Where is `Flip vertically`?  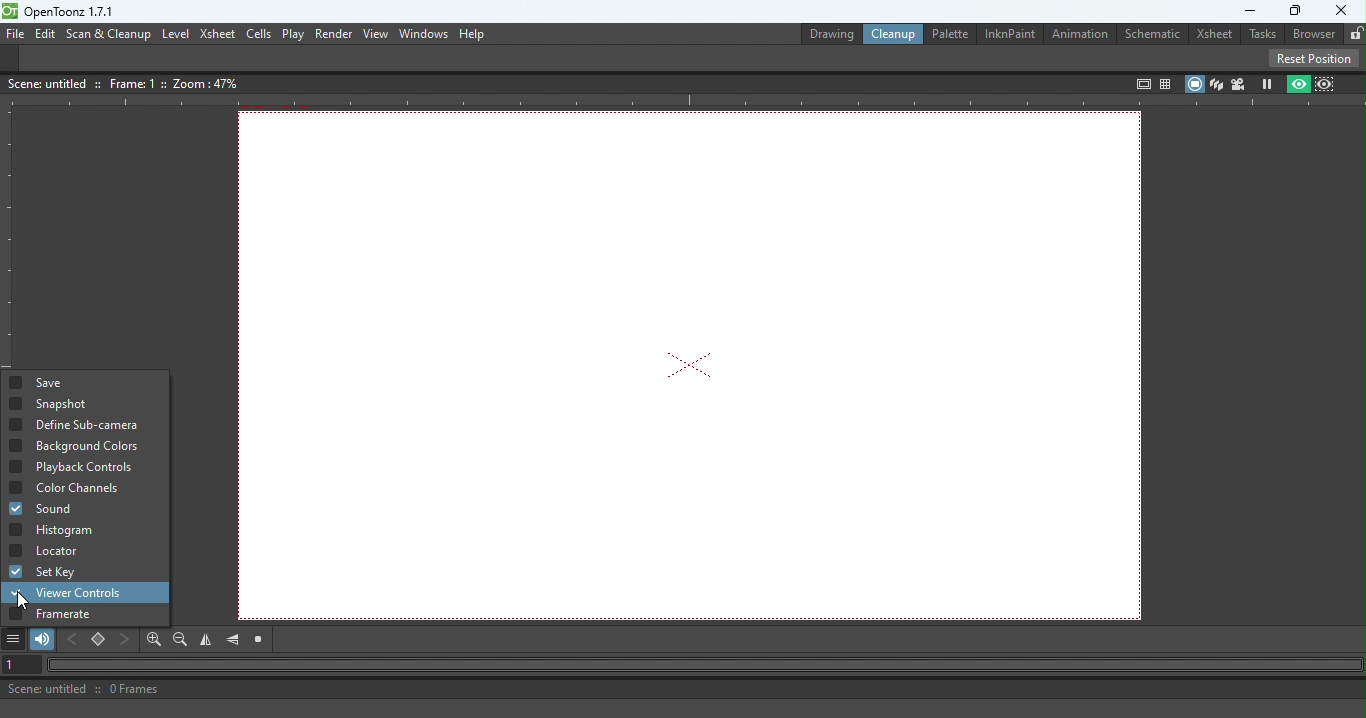 Flip vertically is located at coordinates (233, 640).